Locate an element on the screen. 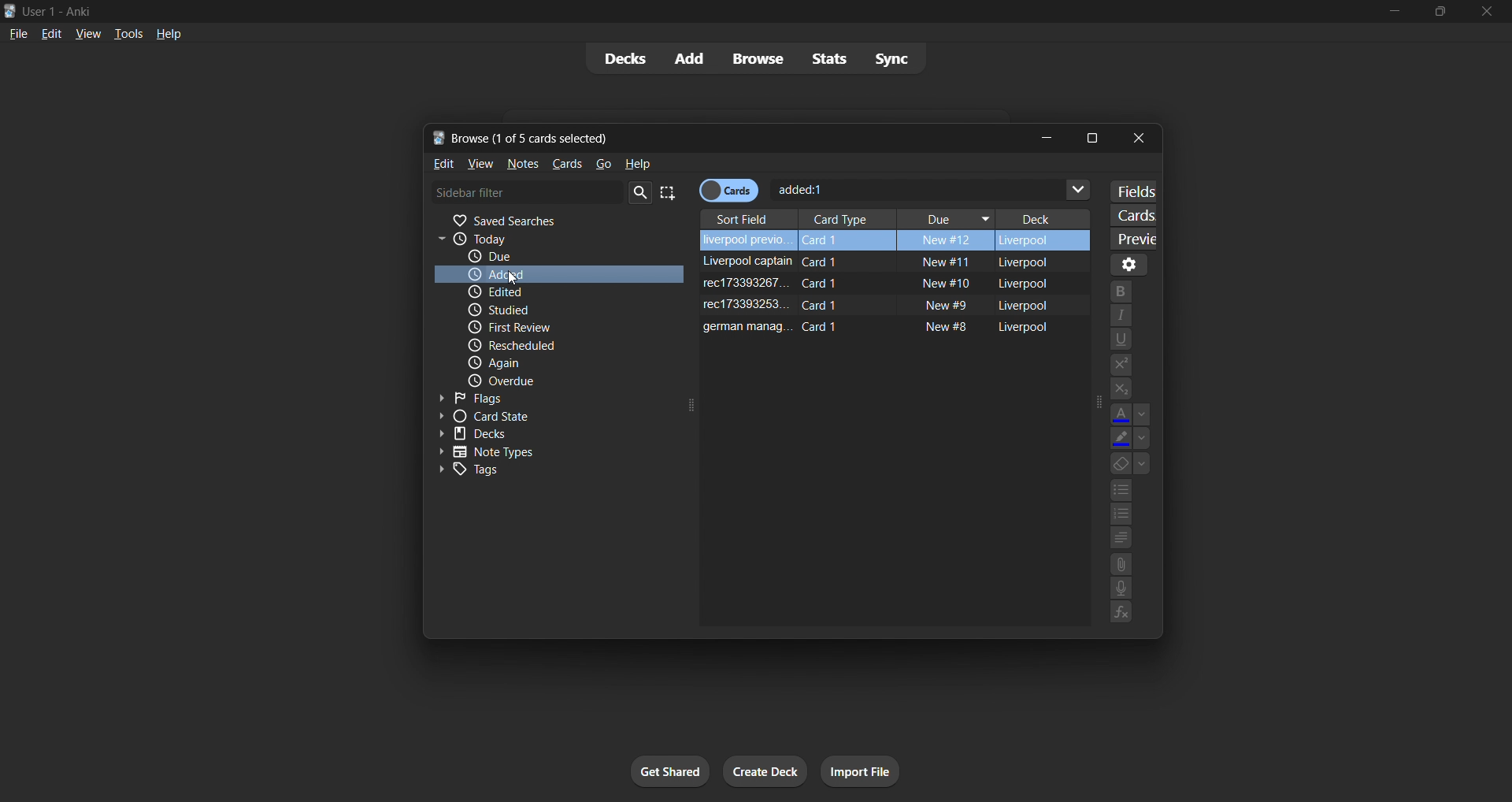 The height and width of the screenshot is (802, 1512). get shared is located at coordinates (663, 770).